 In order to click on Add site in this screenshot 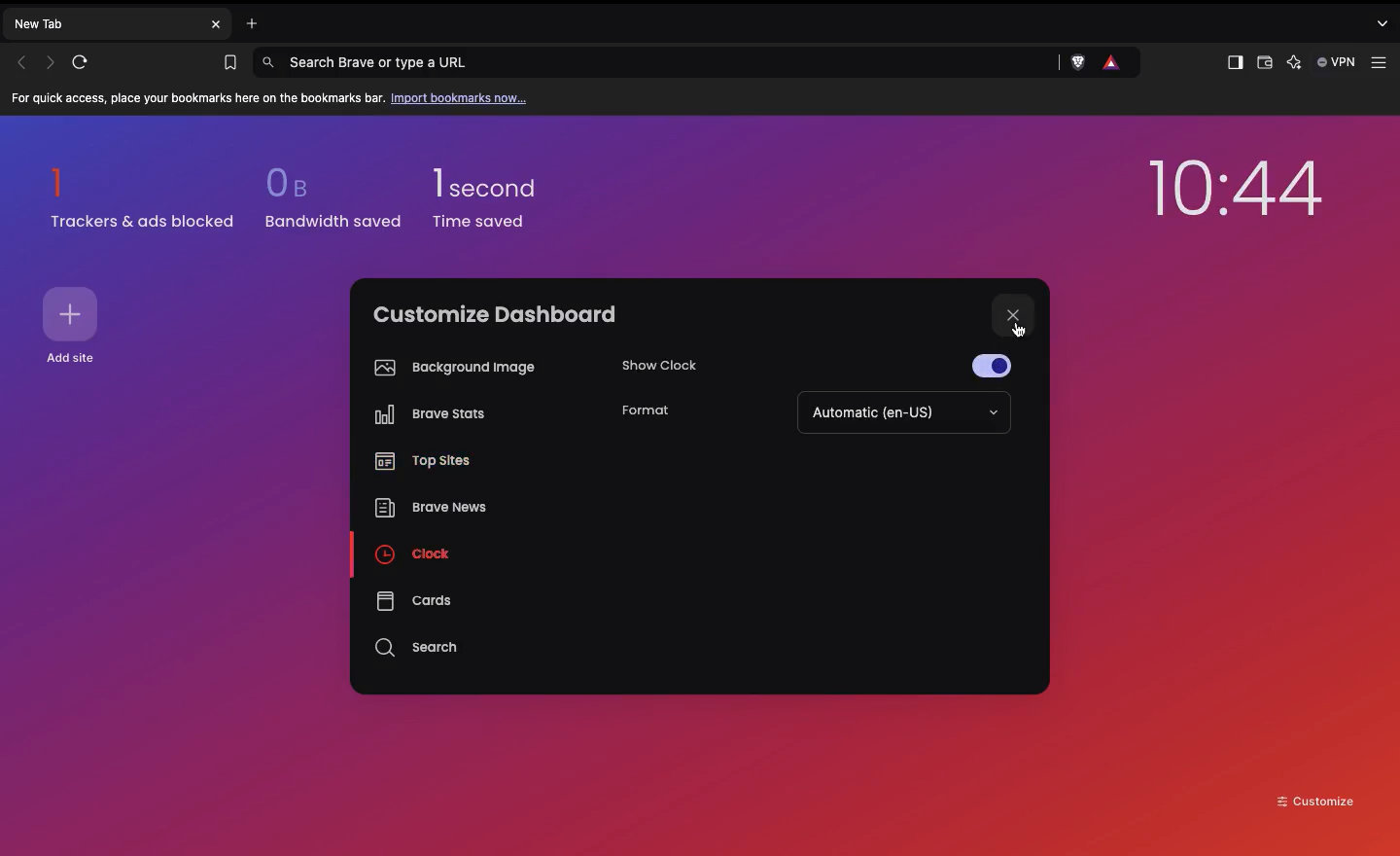, I will do `click(74, 314)`.